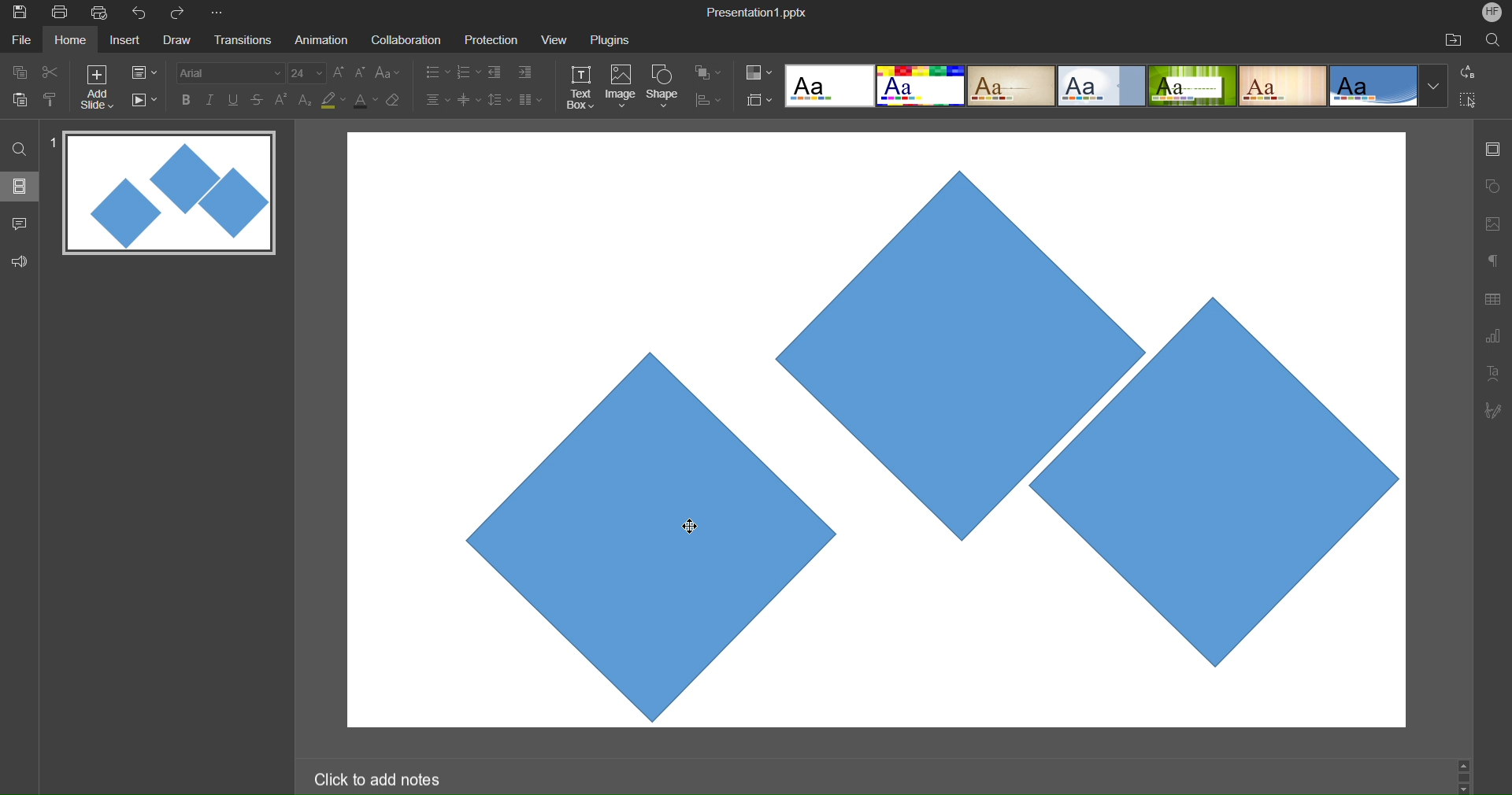 The height and width of the screenshot is (795, 1512). I want to click on Font Size, so click(307, 73).